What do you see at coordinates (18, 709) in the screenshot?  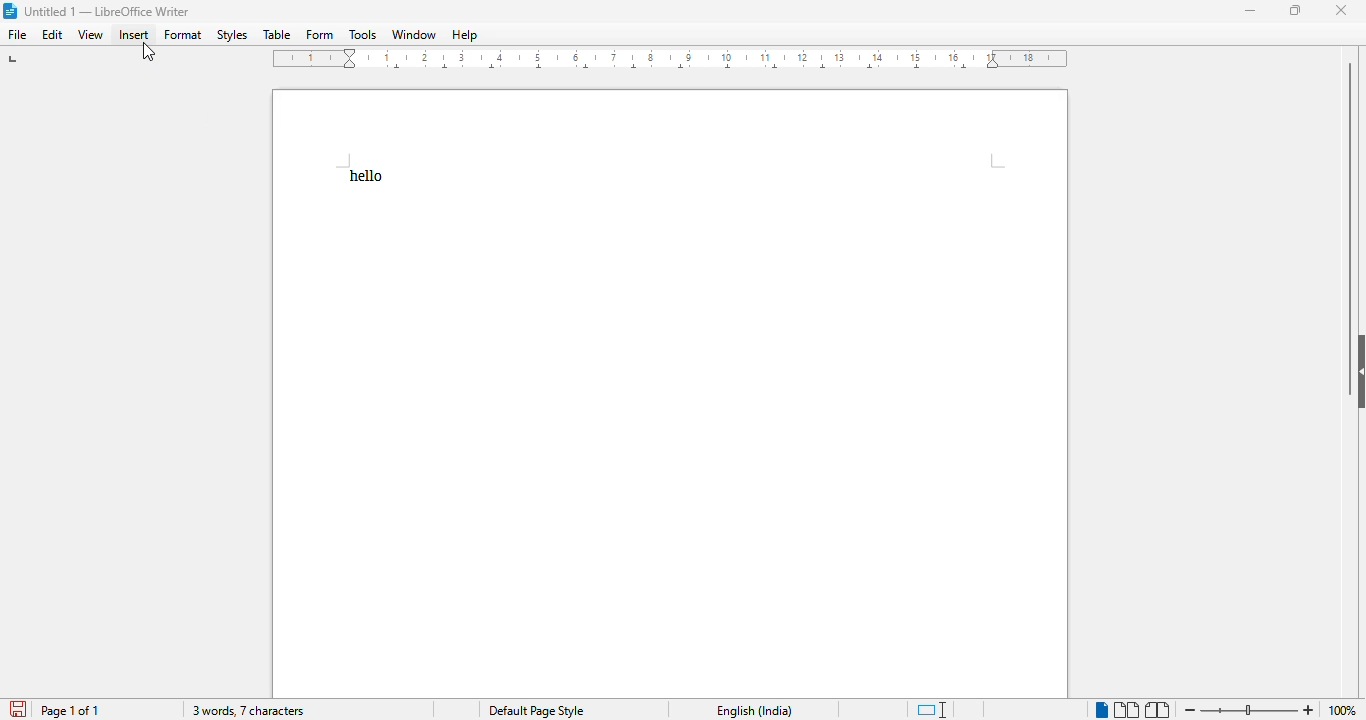 I see `click to save document` at bounding box center [18, 709].